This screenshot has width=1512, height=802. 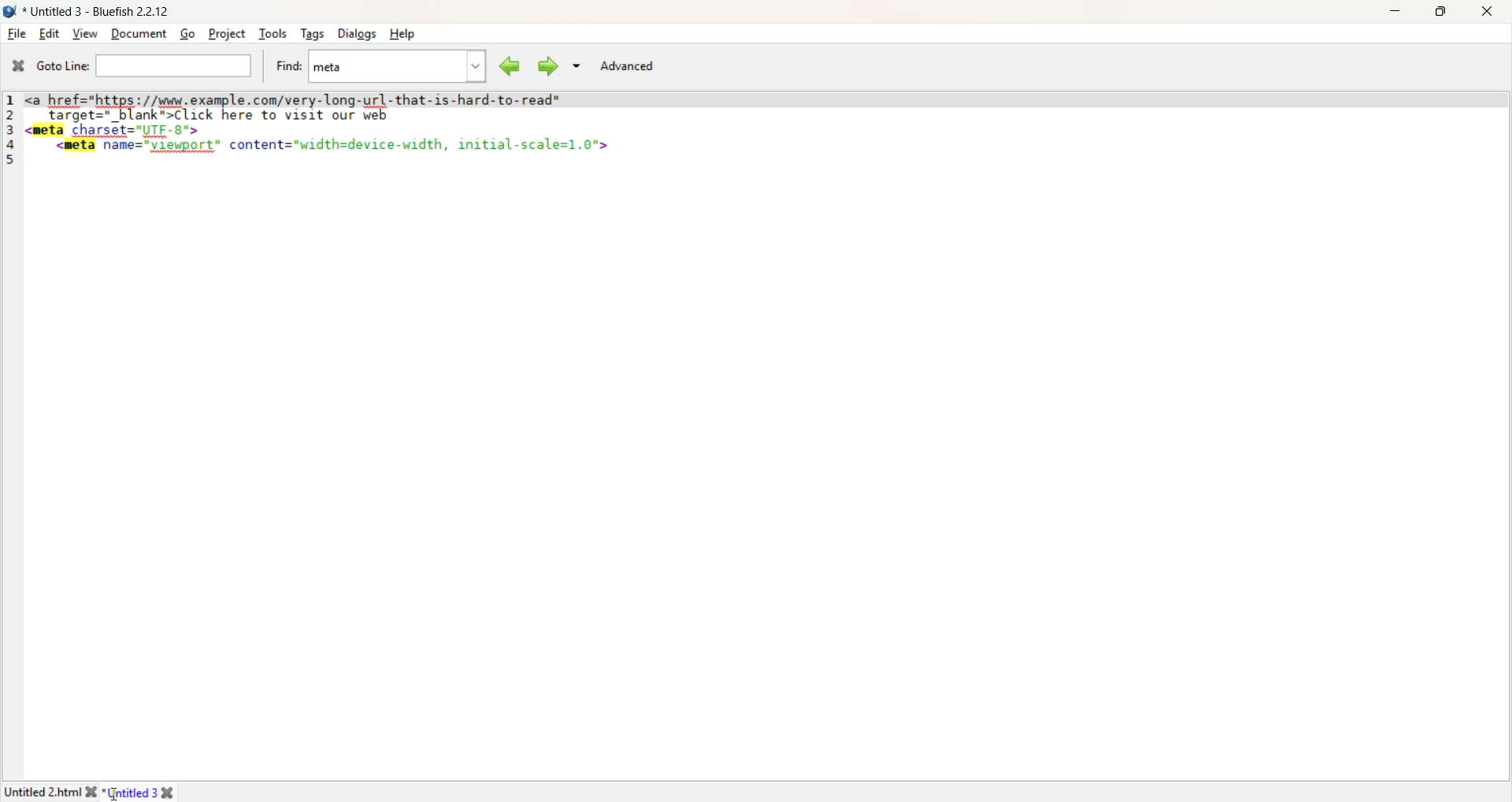 What do you see at coordinates (547, 66) in the screenshot?
I see `Find Next` at bounding box center [547, 66].